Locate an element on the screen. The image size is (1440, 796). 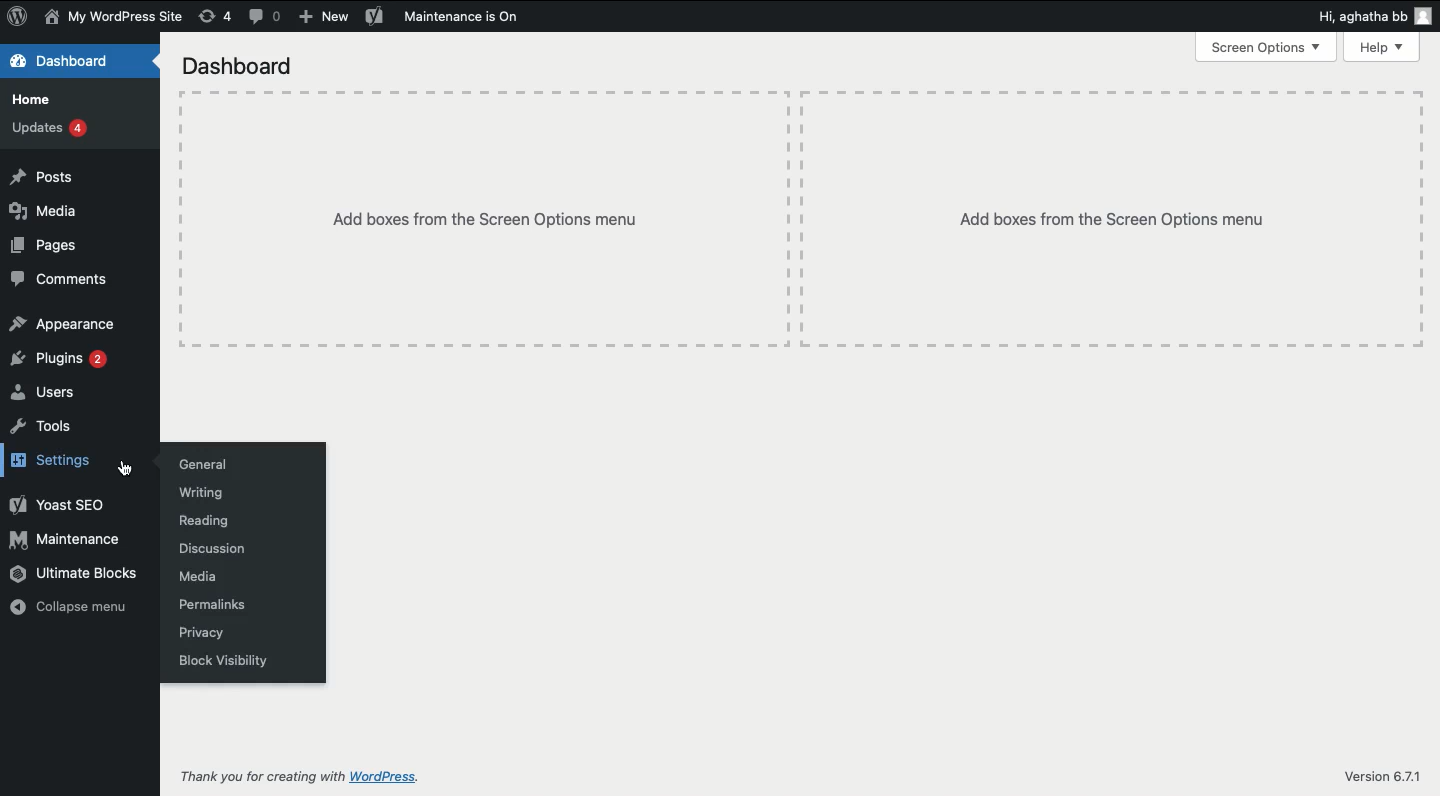
discussion is located at coordinates (212, 549).